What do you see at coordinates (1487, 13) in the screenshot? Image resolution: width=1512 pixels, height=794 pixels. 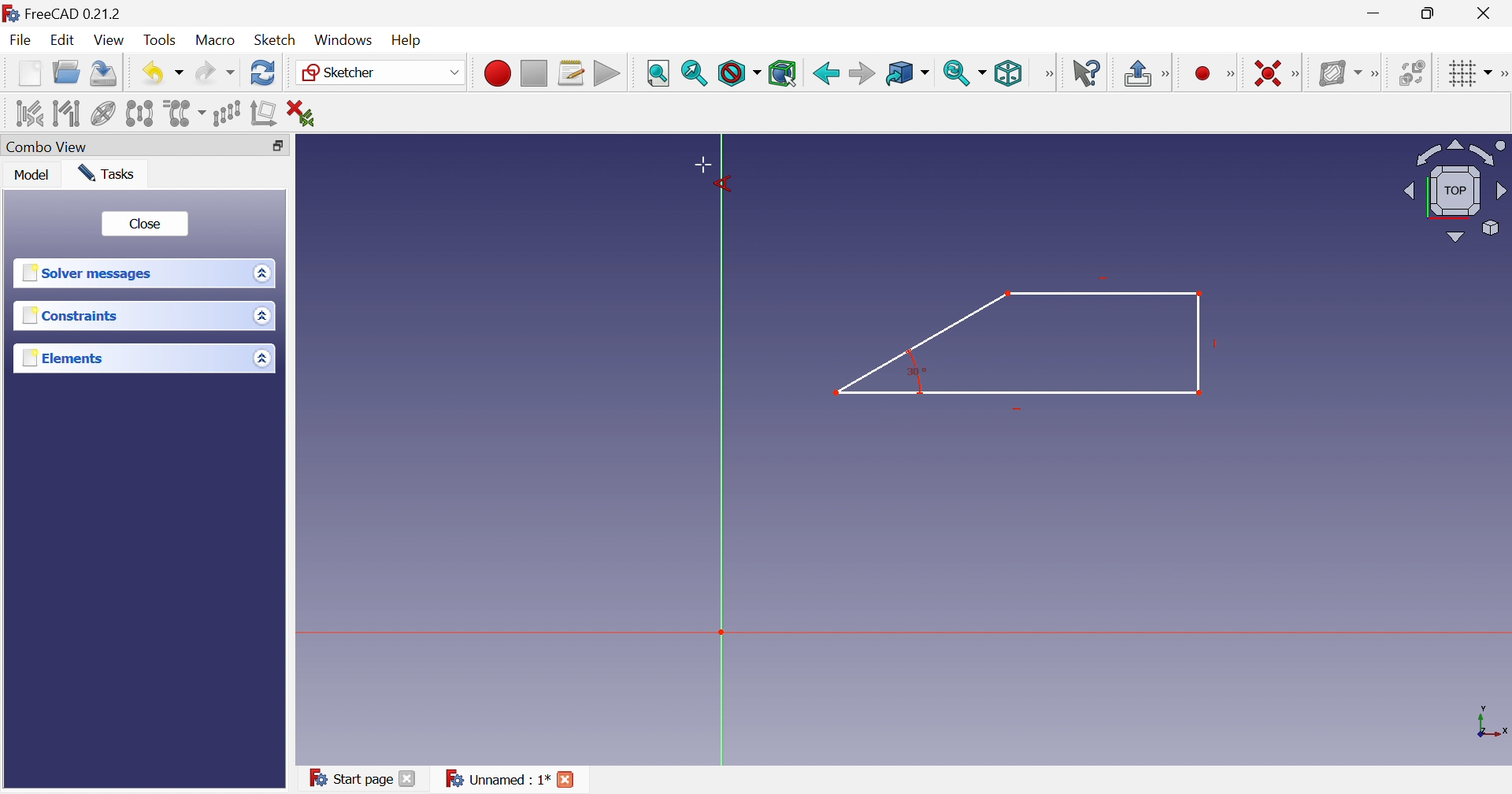 I see `Close` at bounding box center [1487, 13].